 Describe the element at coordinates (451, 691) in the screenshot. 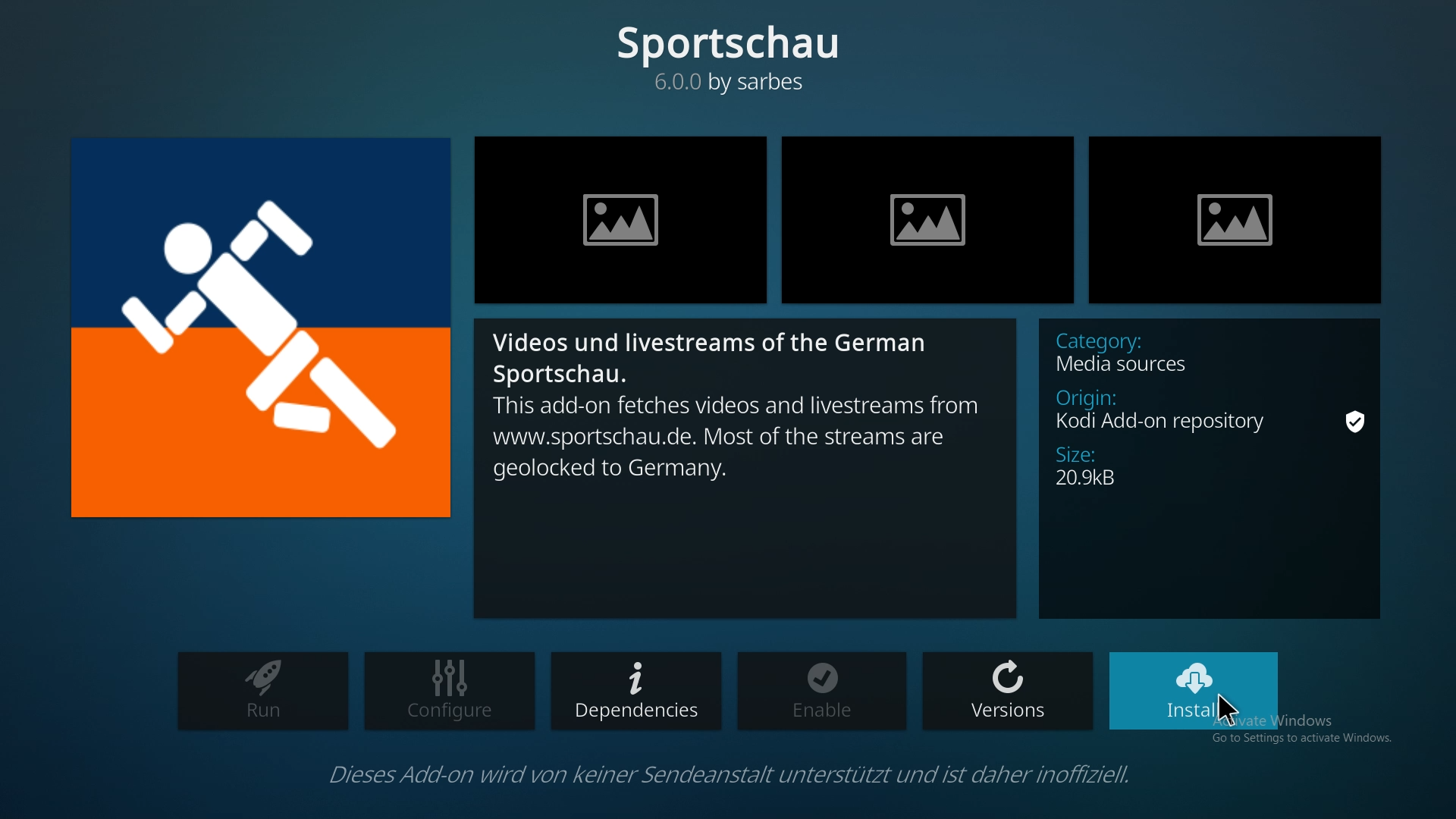

I see `configure` at that location.